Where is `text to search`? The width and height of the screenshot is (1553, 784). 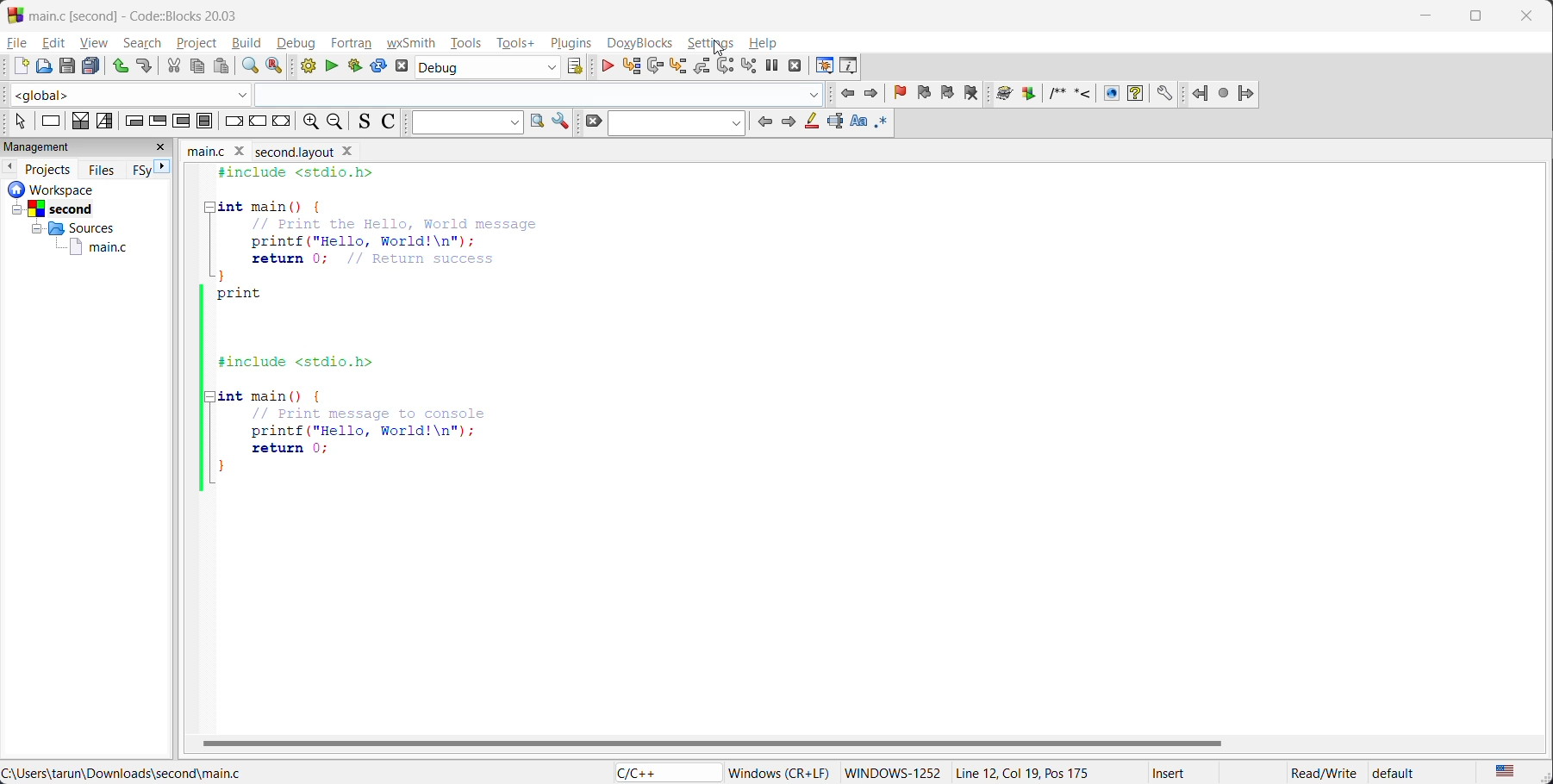 text to search is located at coordinates (463, 122).